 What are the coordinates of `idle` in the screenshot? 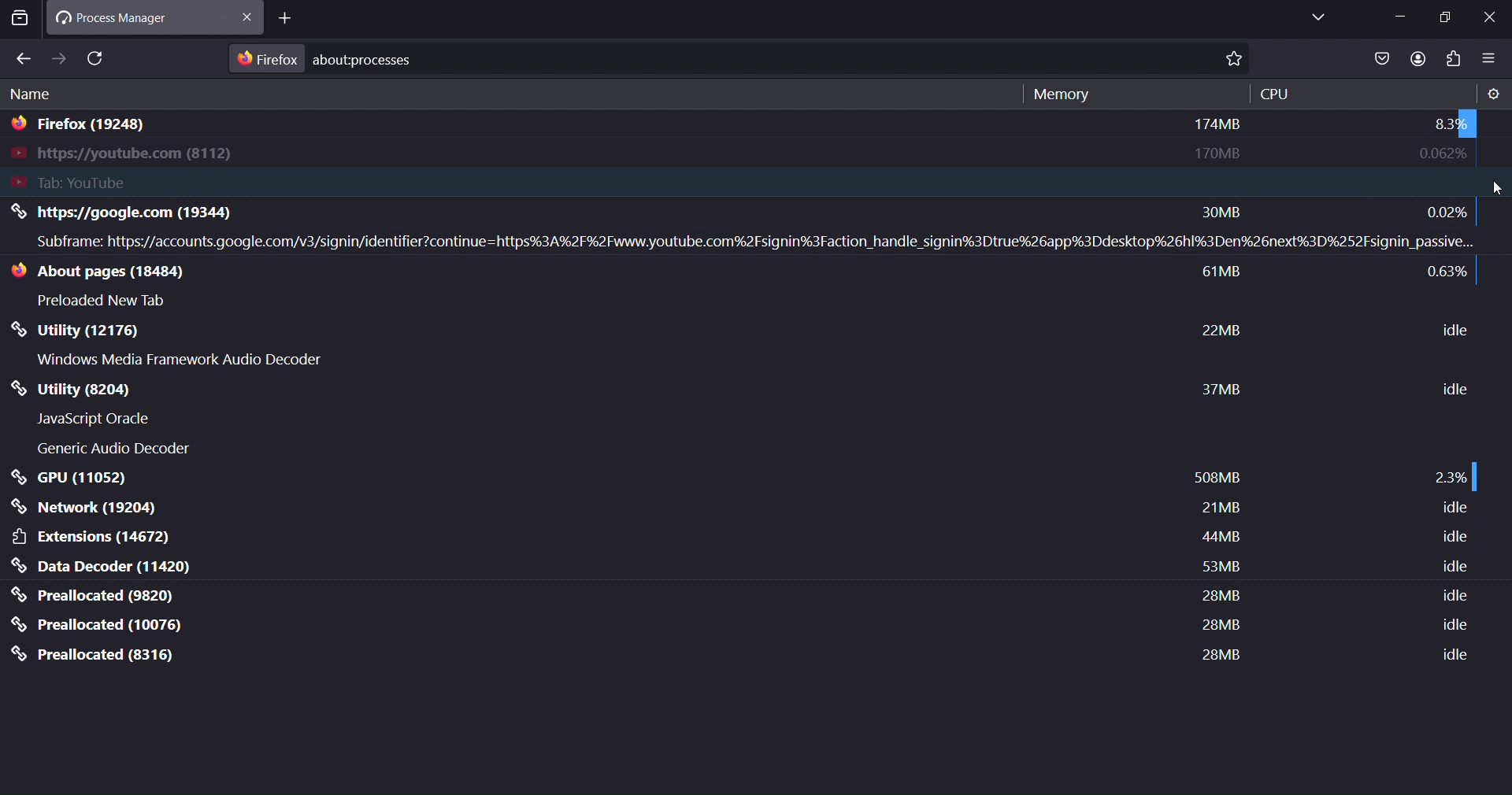 It's located at (1454, 657).